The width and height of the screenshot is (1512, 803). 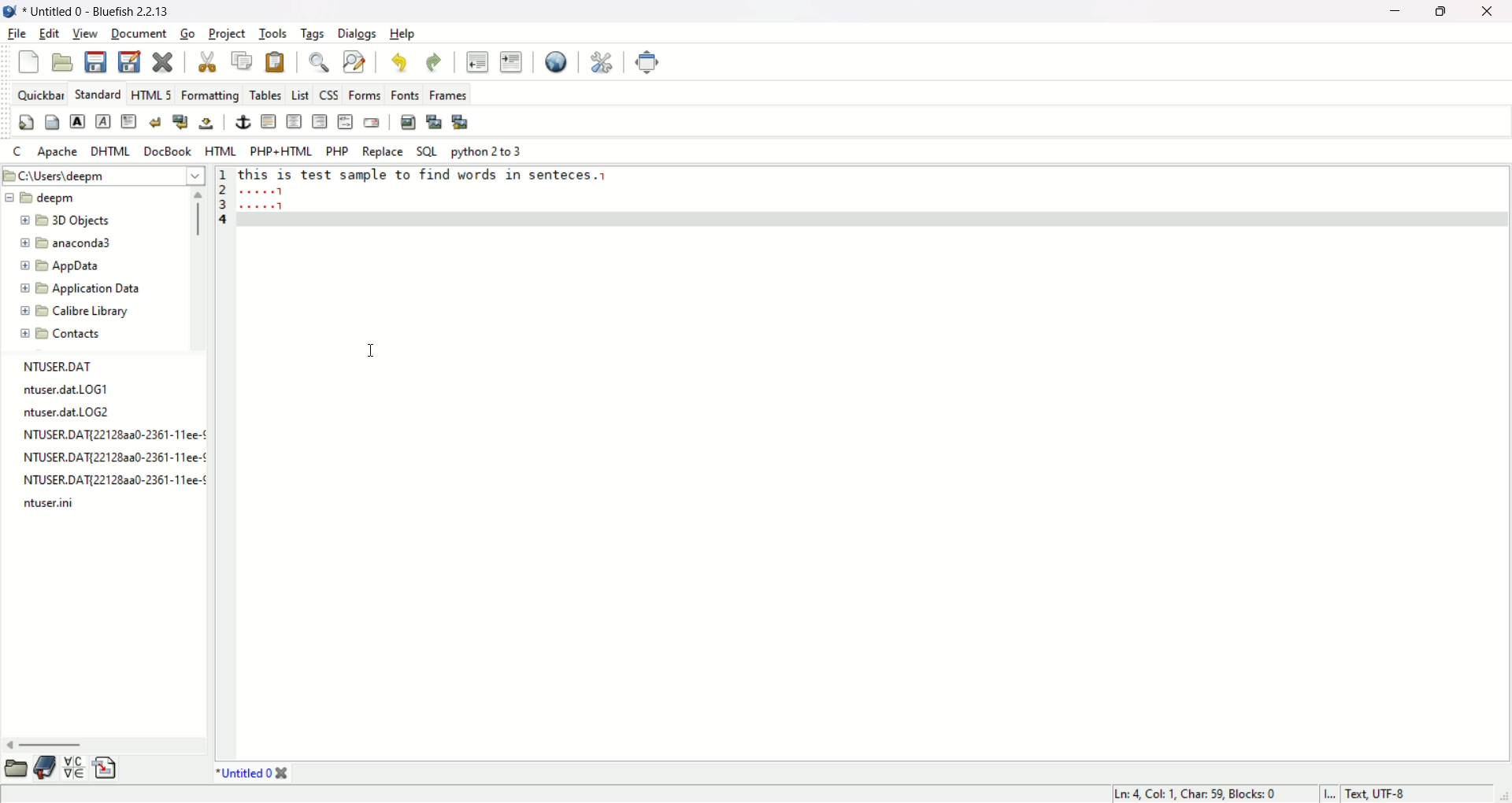 I want to click on ntuser.dat.LOG1, so click(x=80, y=390).